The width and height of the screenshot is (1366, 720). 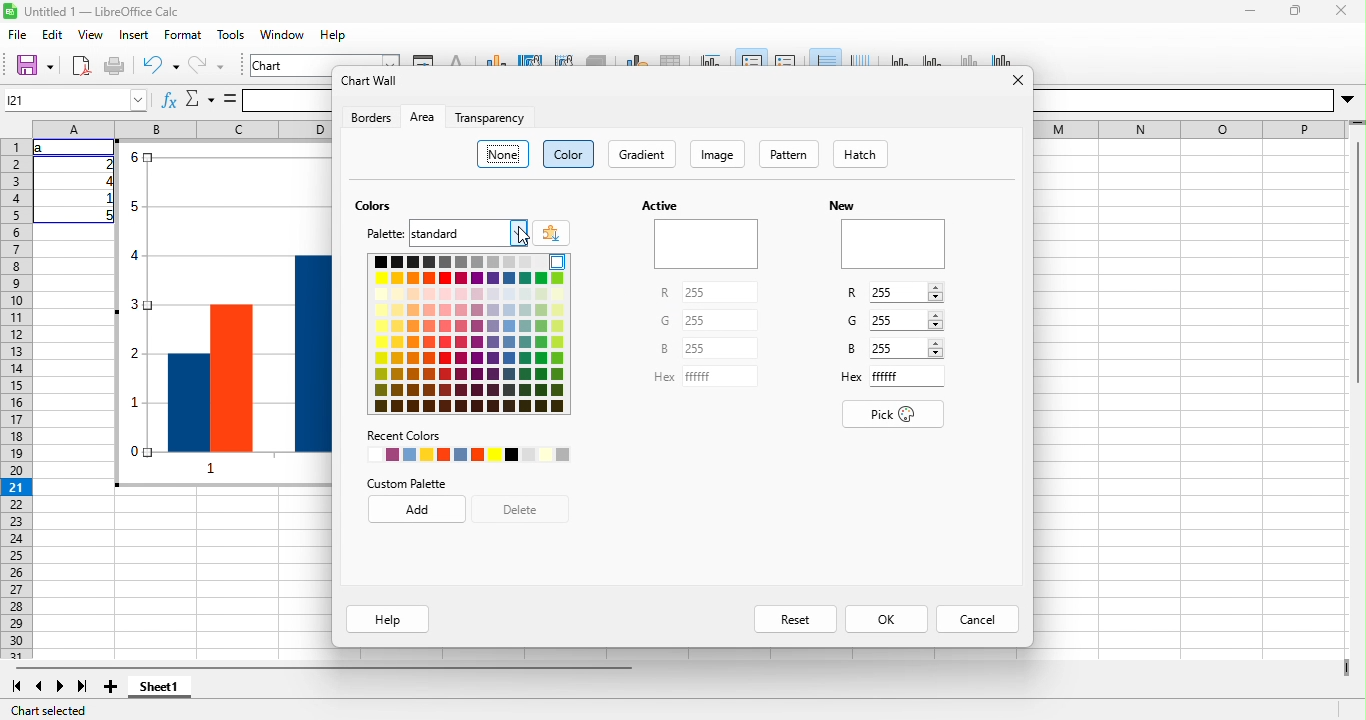 What do you see at coordinates (934, 58) in the screenshot?
I see `y axis` at bounding box center [934, 58].